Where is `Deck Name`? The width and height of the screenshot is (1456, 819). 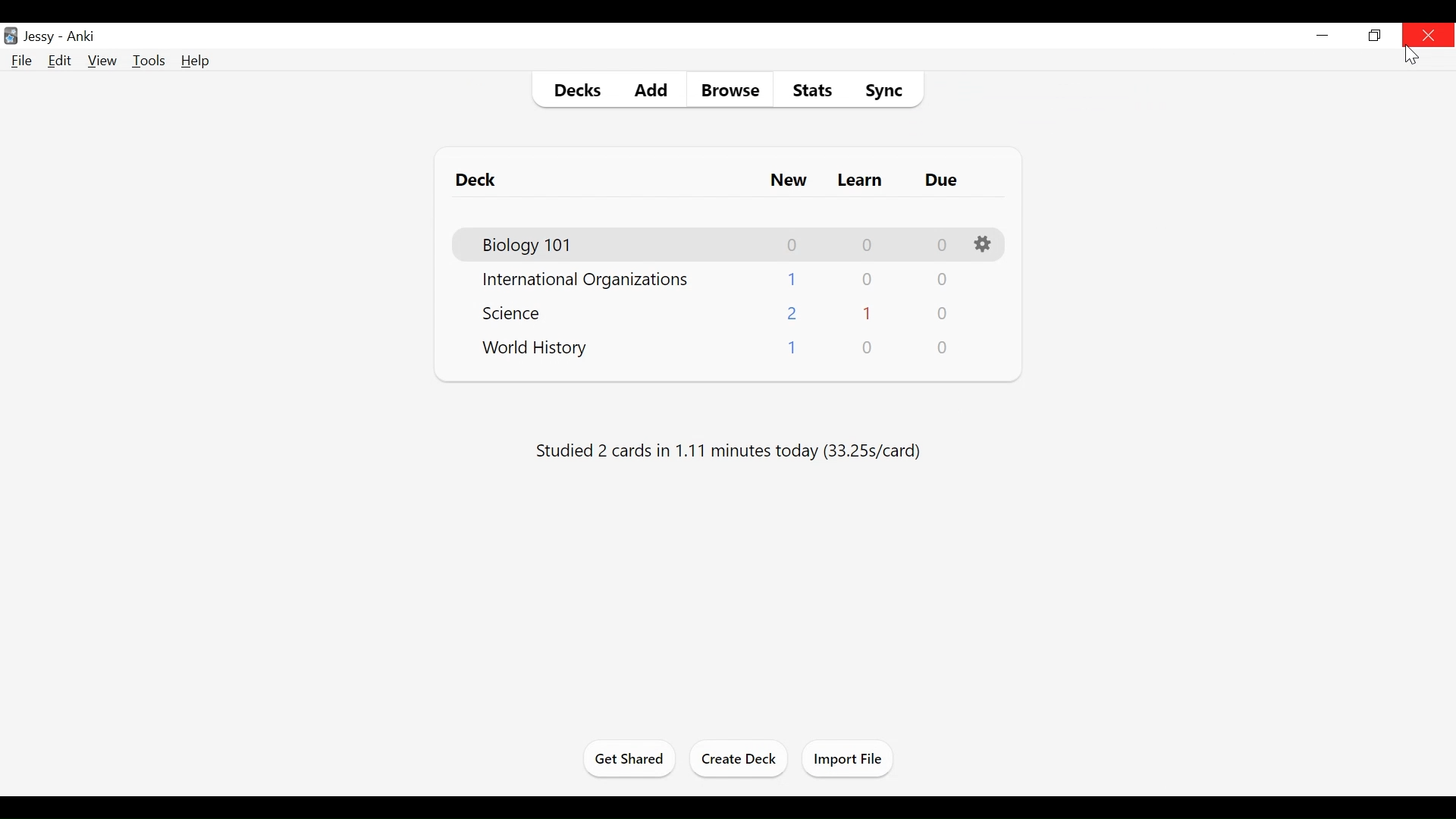
Deck Name is located at coordinates (516, 314).